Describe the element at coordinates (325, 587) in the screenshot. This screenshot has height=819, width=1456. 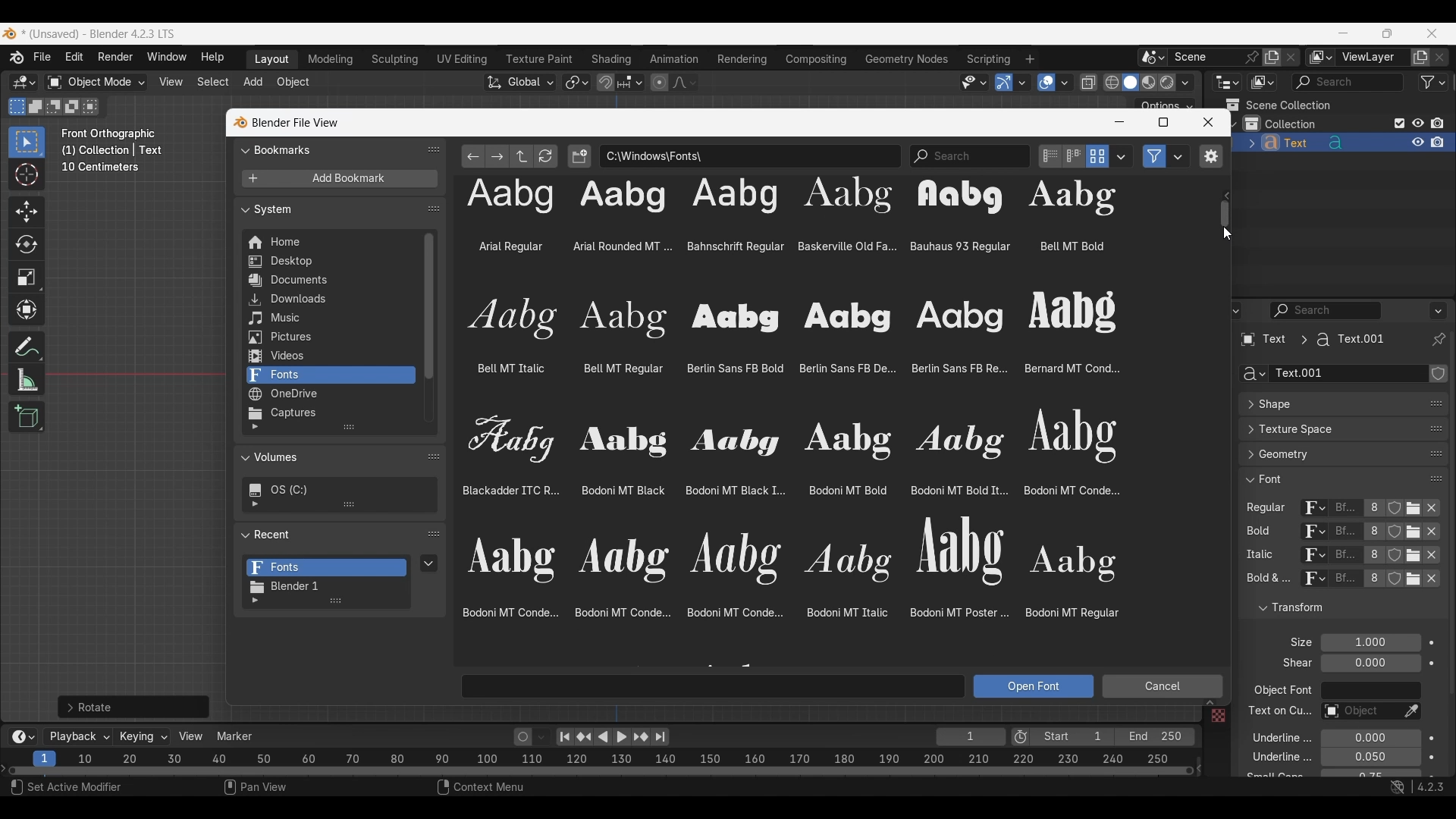
I see `Blender 1 folder` at that location.